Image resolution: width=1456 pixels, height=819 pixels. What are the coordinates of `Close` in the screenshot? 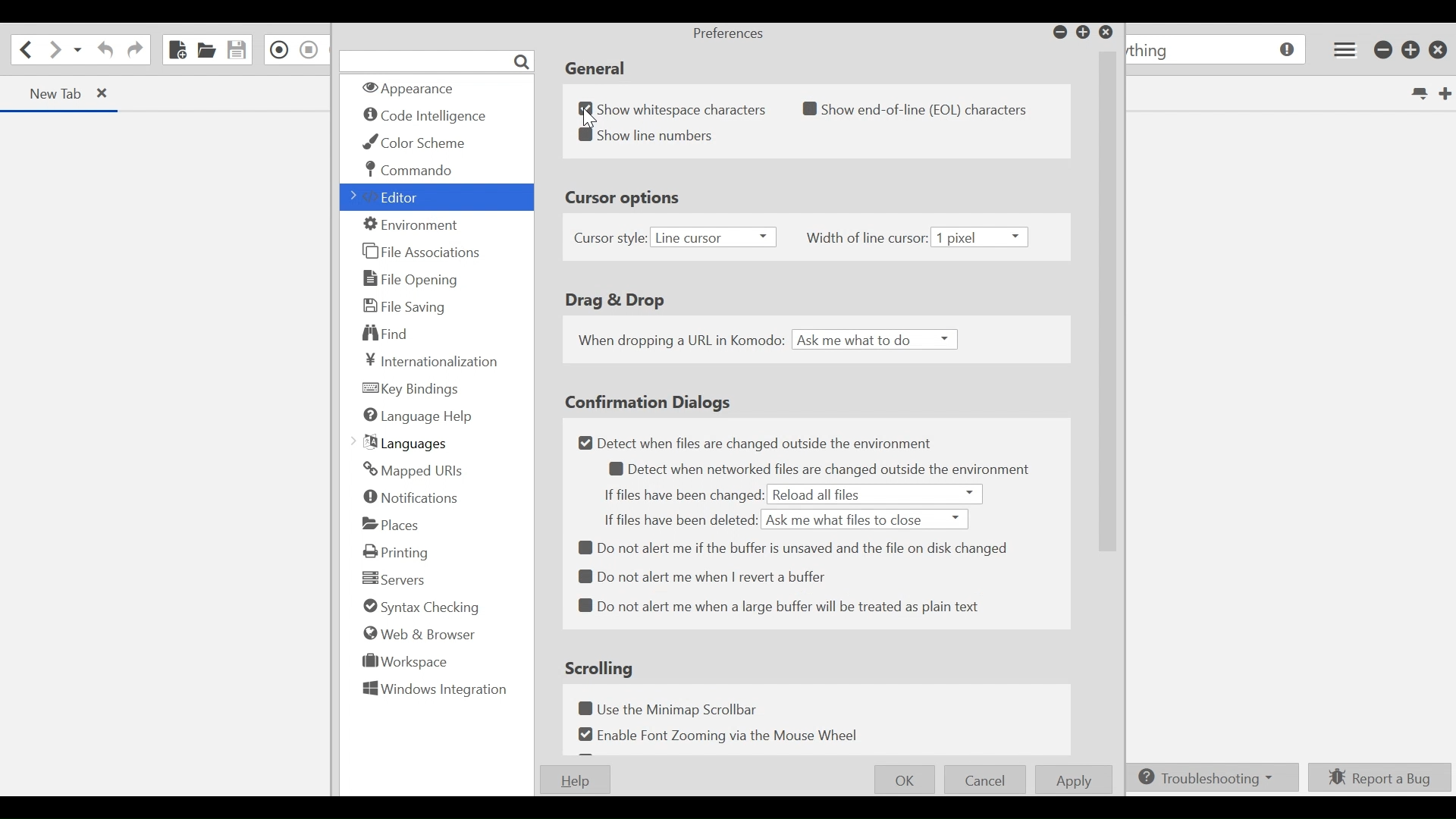 It's located at (1106, 33).